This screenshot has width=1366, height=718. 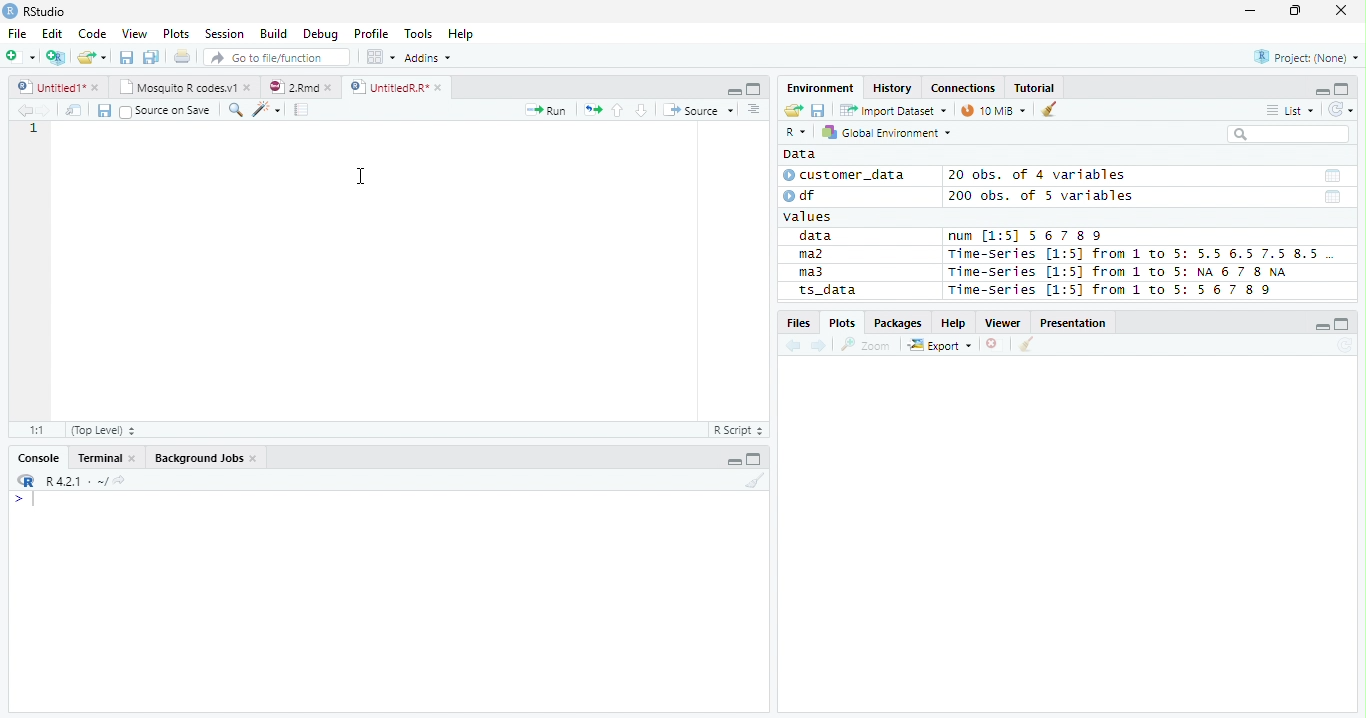 I want to click on Debug, so click(x=321, y=35).